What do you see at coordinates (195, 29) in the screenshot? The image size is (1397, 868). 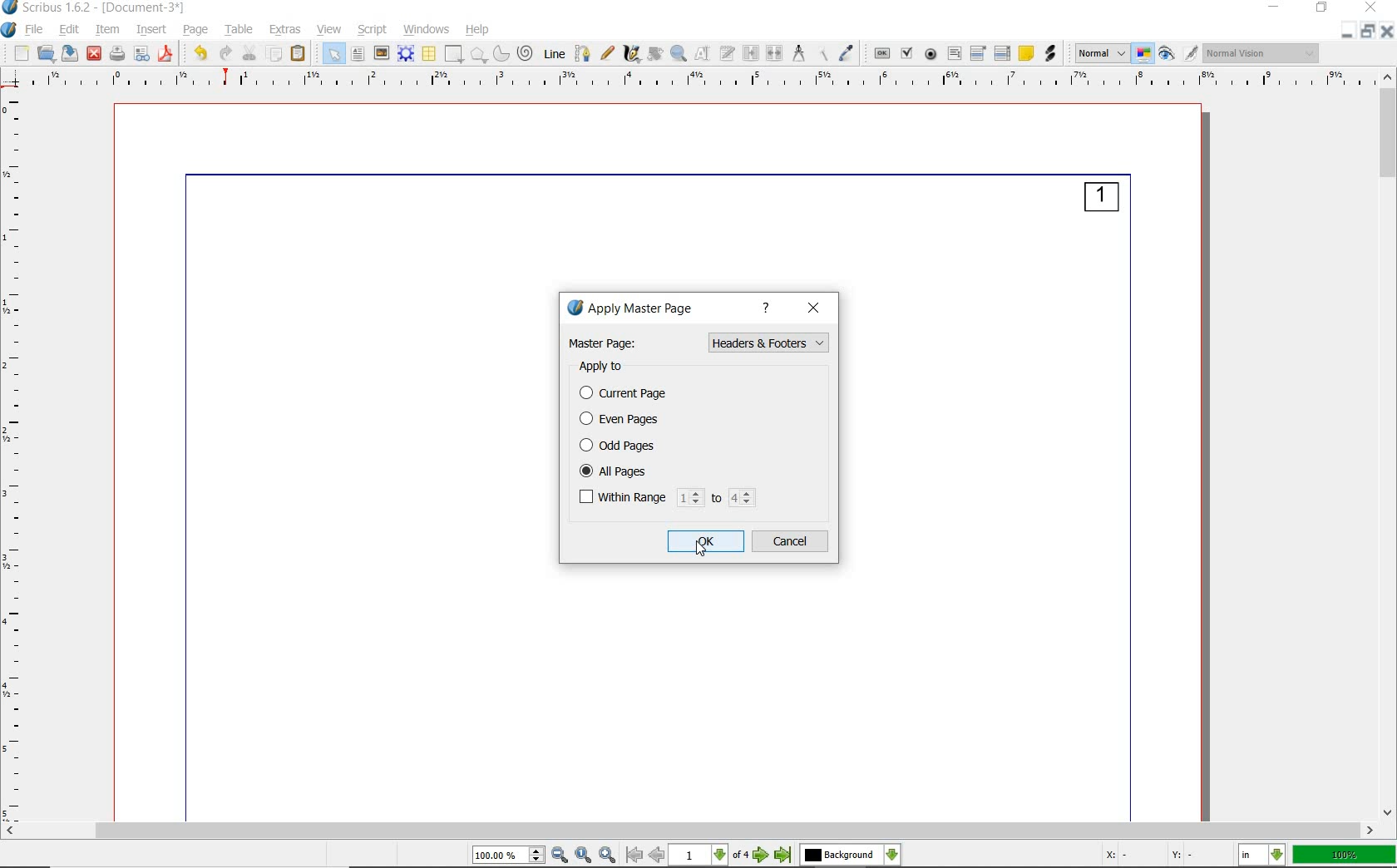 I see `page` at bounding box center [195, 29].